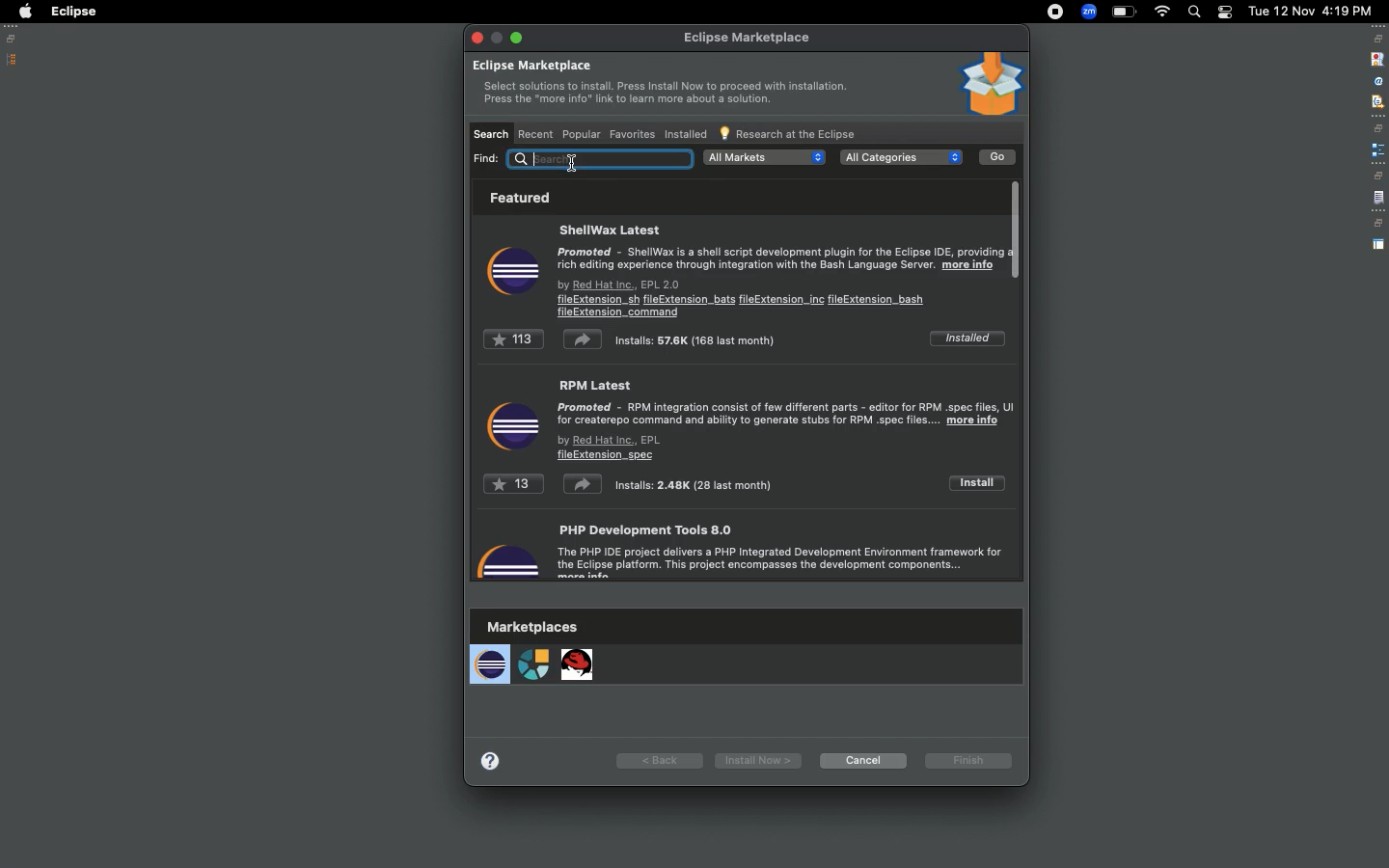 The image size is (1389, 868). Describe the element at coordinates (507, 556) in the screenshot. I see `Icon` at that location.